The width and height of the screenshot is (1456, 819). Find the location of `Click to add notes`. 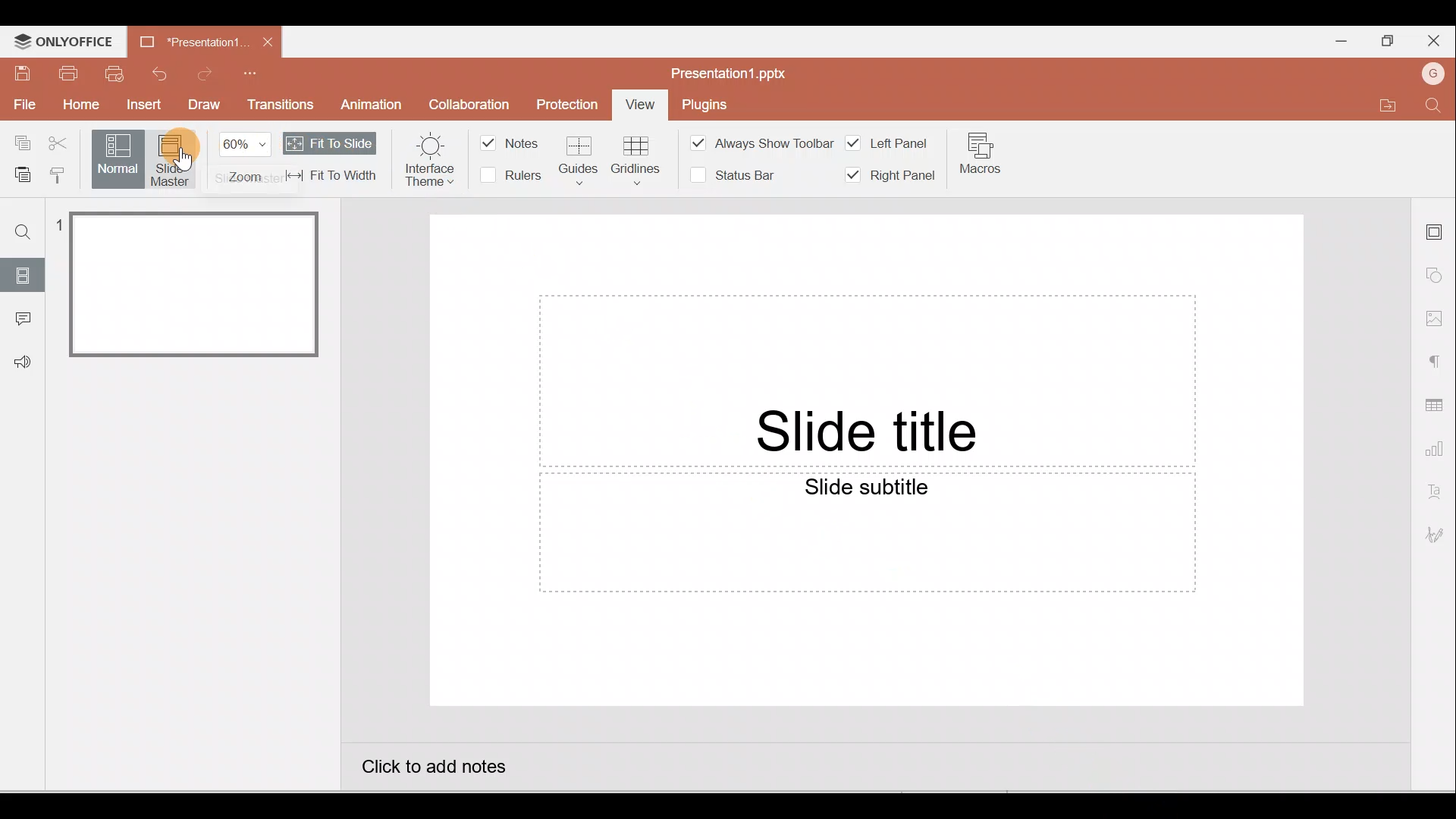

Click to add notes is located at coordinates (443, 772).